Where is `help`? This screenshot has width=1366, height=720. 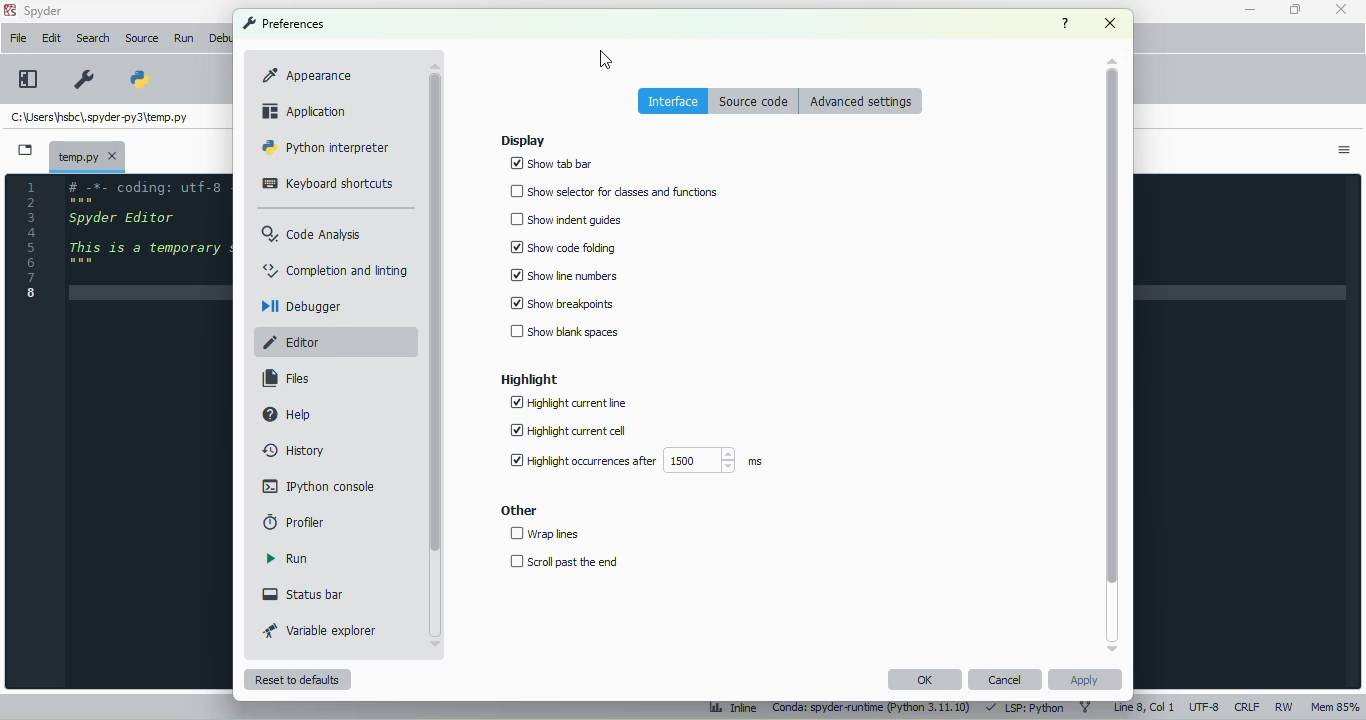 help is located at coordinates (1065, 24).